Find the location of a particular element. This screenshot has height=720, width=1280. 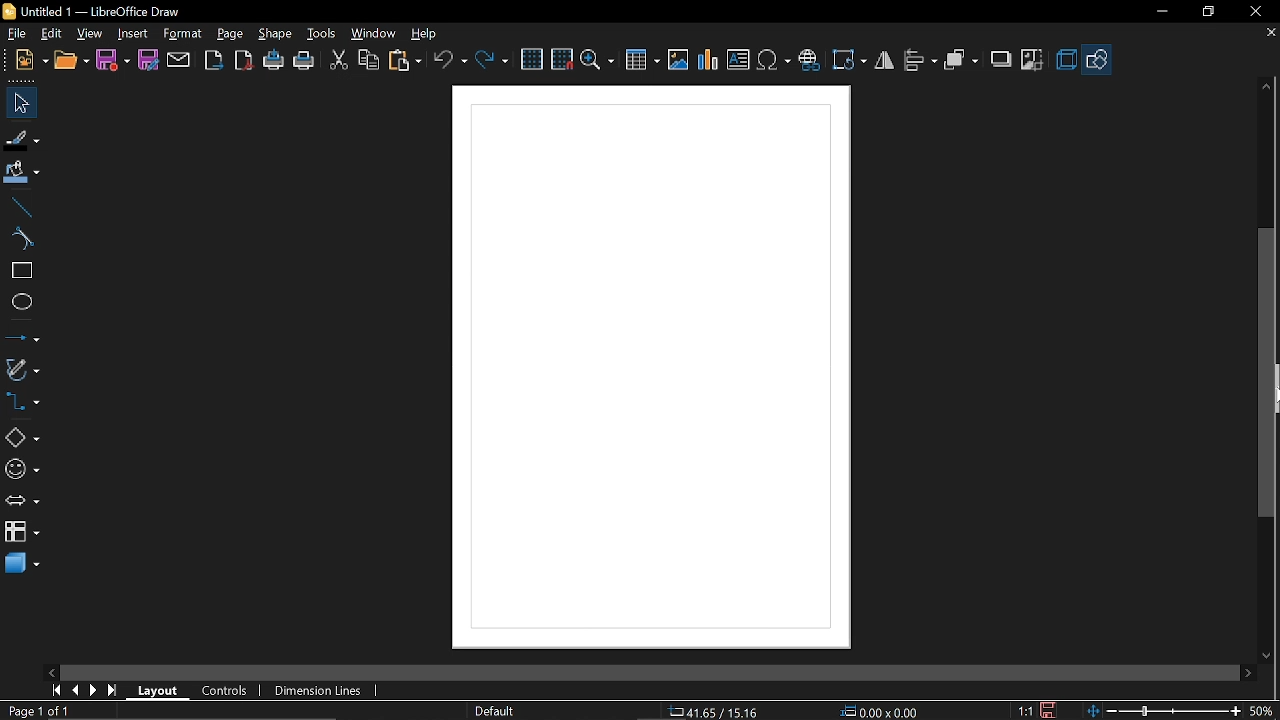

Page style is located at coordinates (496, 710).